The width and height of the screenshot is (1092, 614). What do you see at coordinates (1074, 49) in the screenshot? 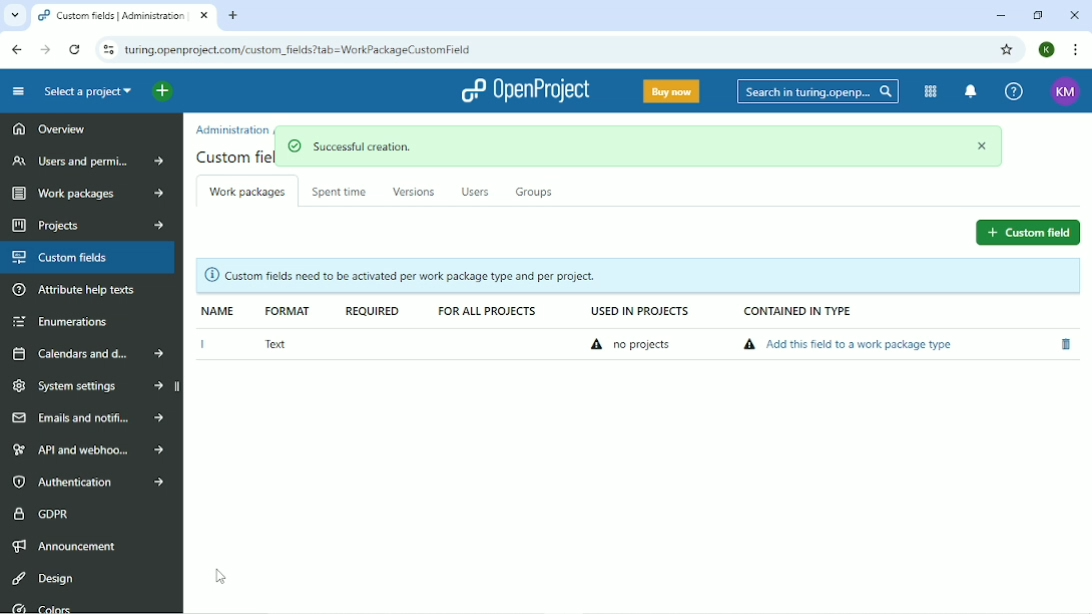
I see `Customize and control google chrome` at bounding box center [1074, 49].